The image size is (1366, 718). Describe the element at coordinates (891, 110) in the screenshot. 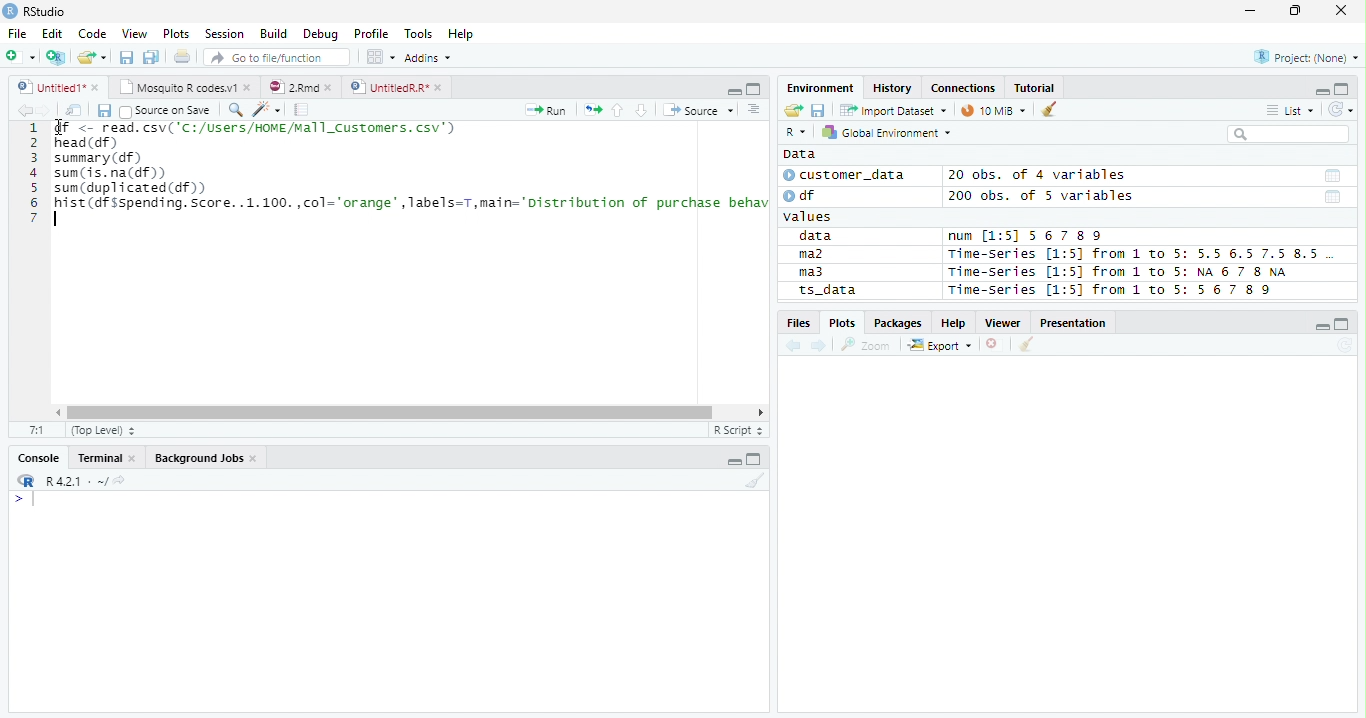

I see `Import Dataset` at that location.